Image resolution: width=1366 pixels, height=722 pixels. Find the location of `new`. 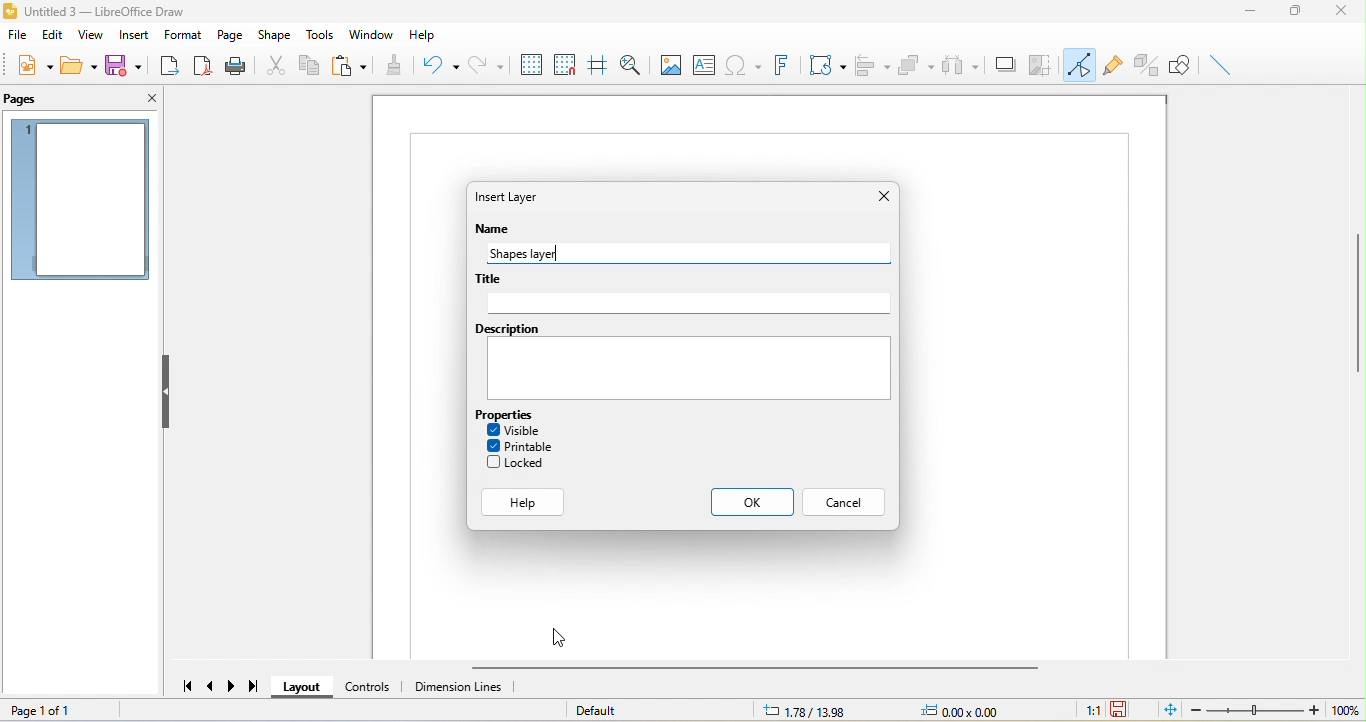

new is located at coordinates (33, 69).